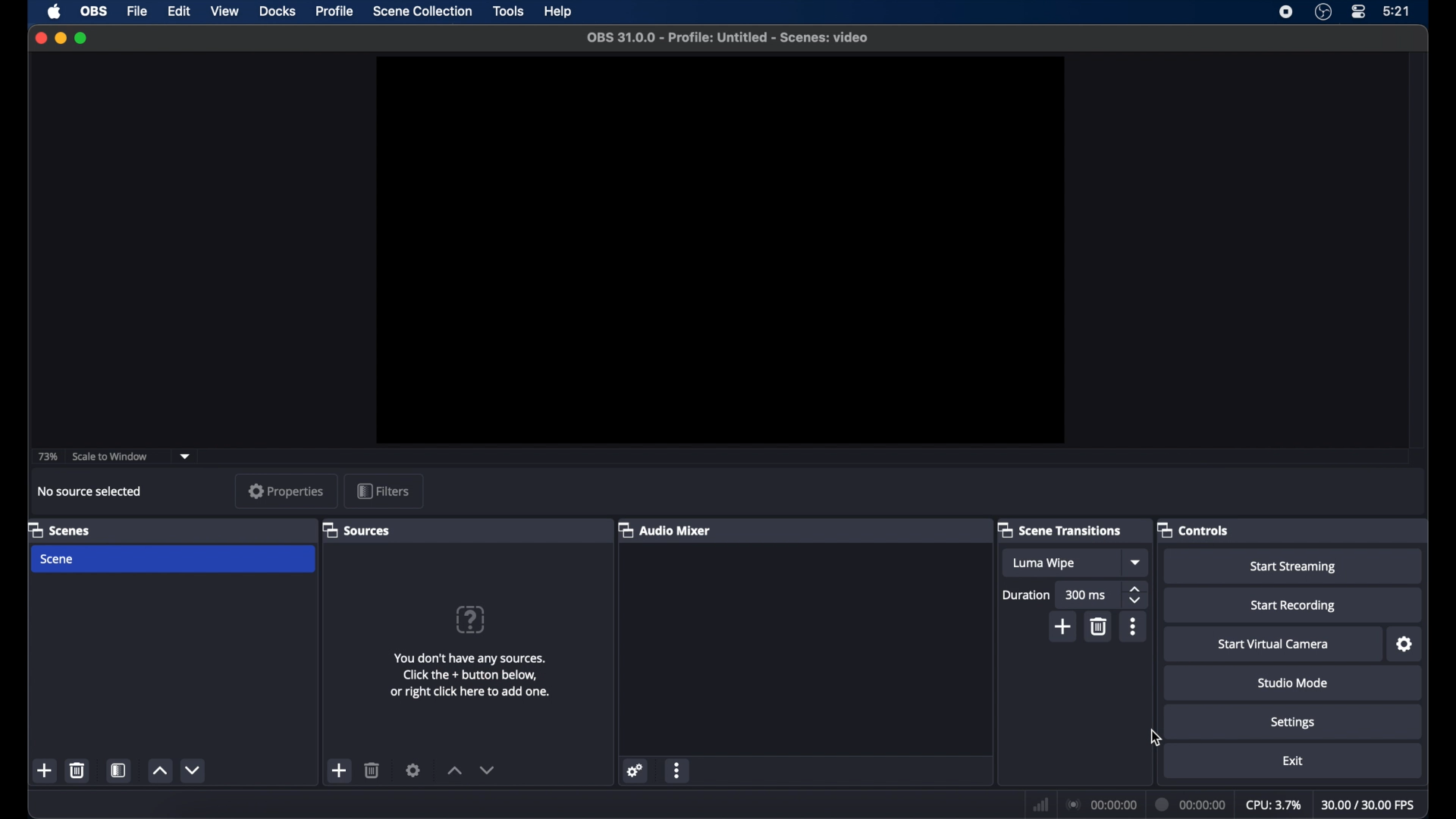 The width and height of the screenshot is (1456, 819). I want to click on maximize, so click(81, 37).